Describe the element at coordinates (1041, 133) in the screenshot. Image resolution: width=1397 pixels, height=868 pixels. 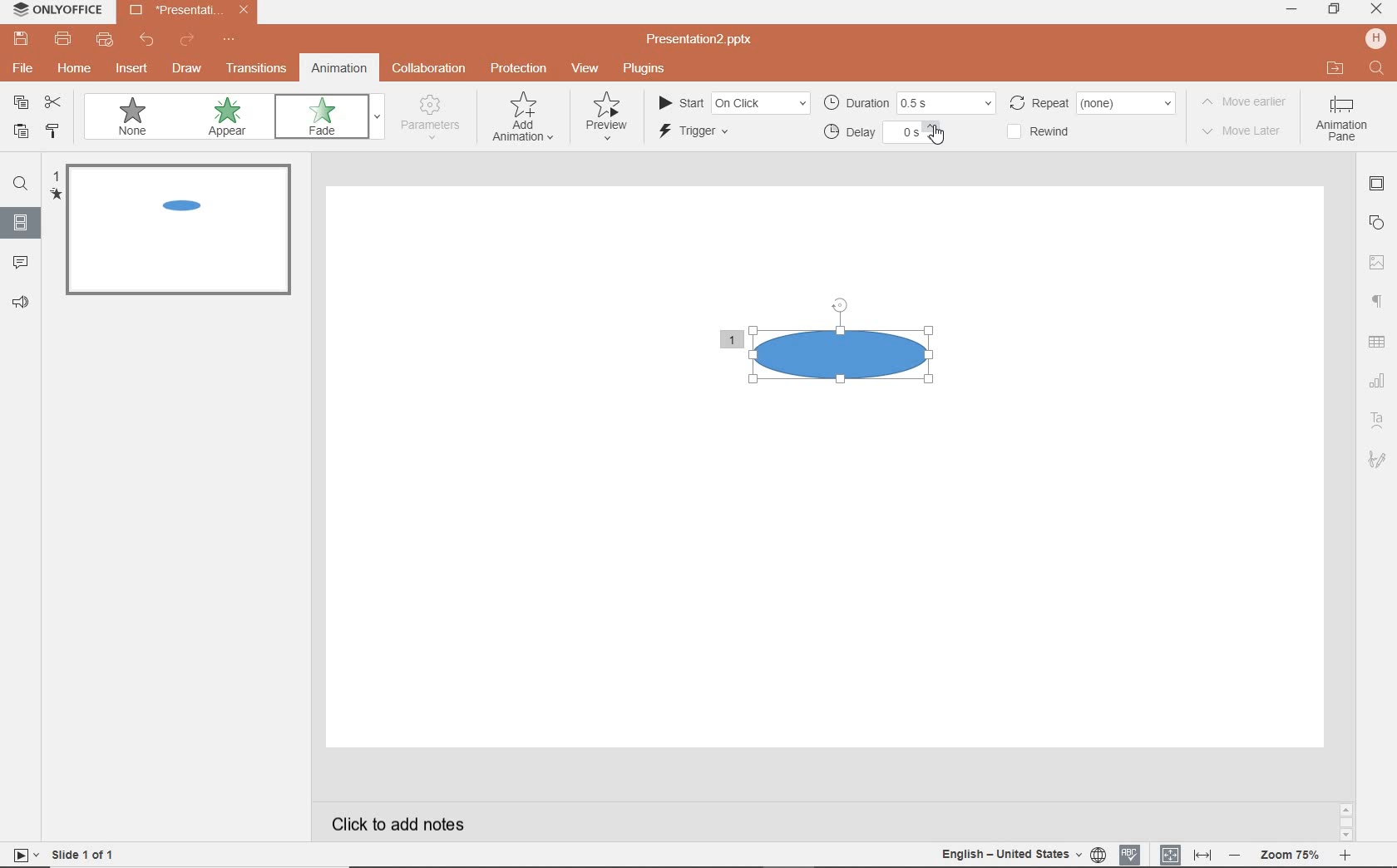
I see `rewind` at that location.